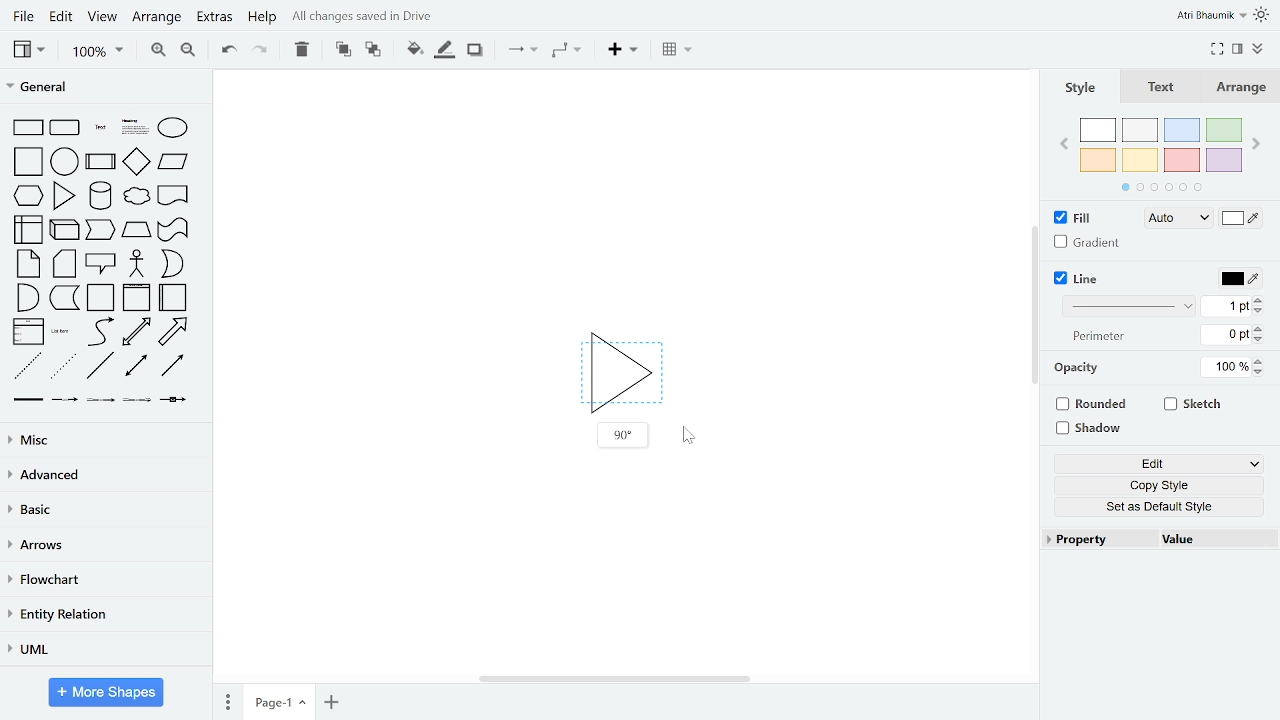  I want to click on zoom in, so click(160, 51).